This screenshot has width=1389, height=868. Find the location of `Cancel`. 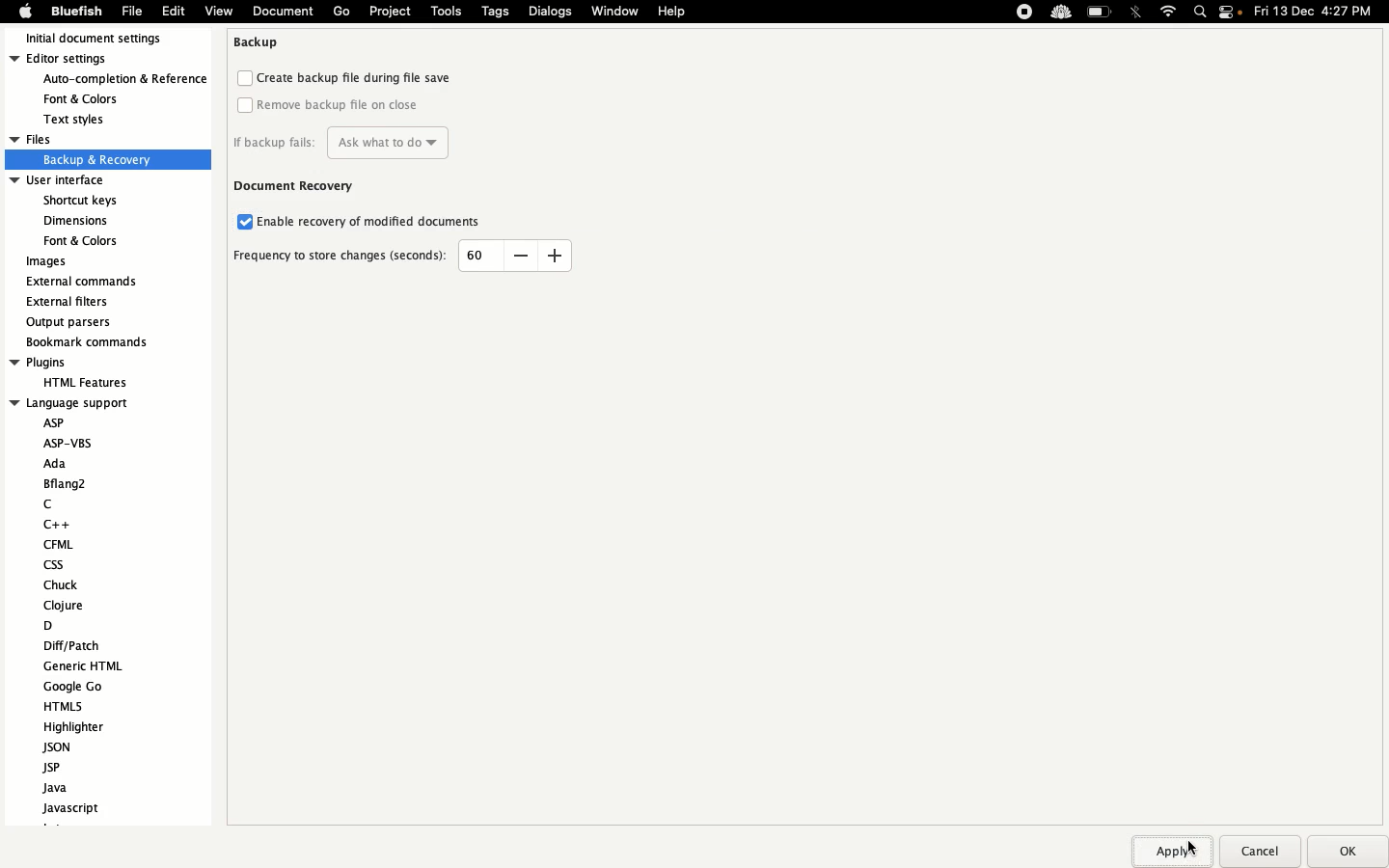

Cancel is located at coordinates (1263, 842).